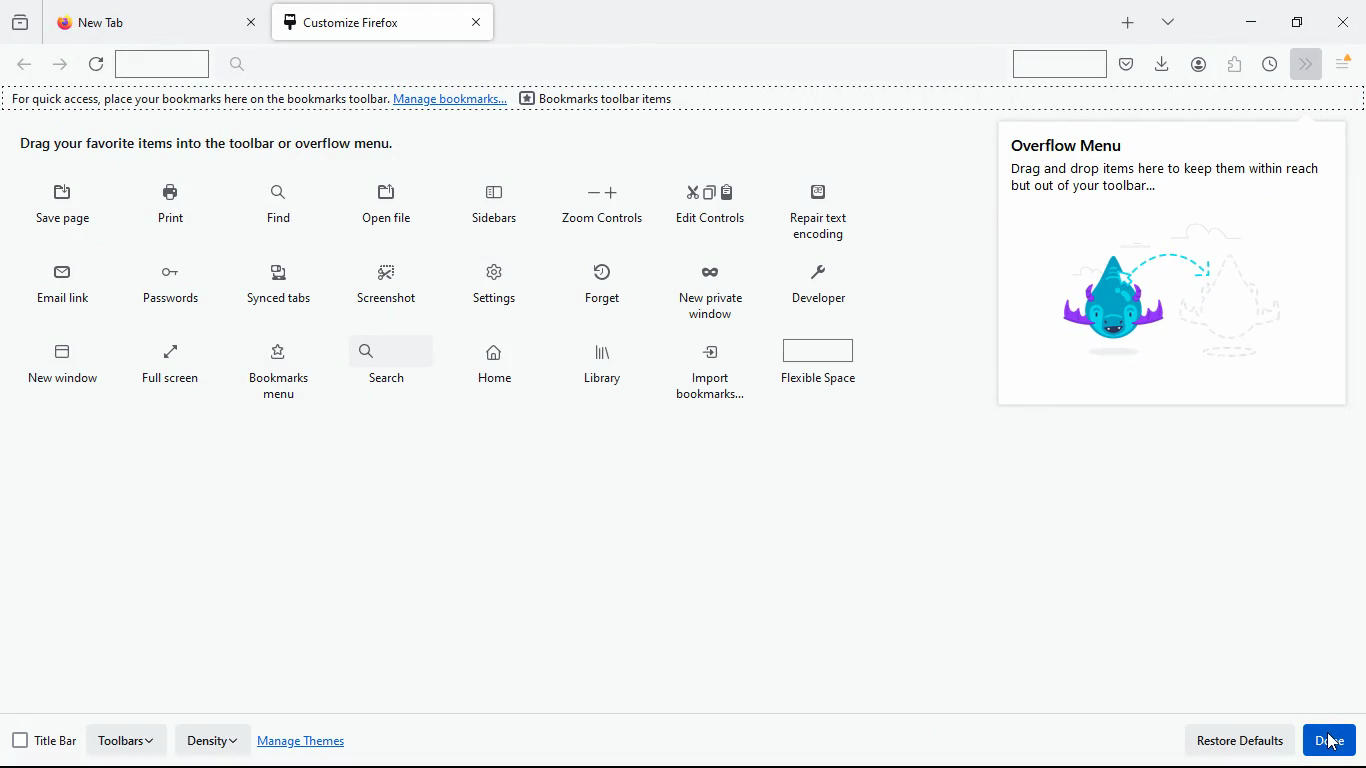 The image size is (1366, 768). What do you see at coordinates (498, 284) in the screenshot?
I see `screenshot` at bounding box center [498, 284].